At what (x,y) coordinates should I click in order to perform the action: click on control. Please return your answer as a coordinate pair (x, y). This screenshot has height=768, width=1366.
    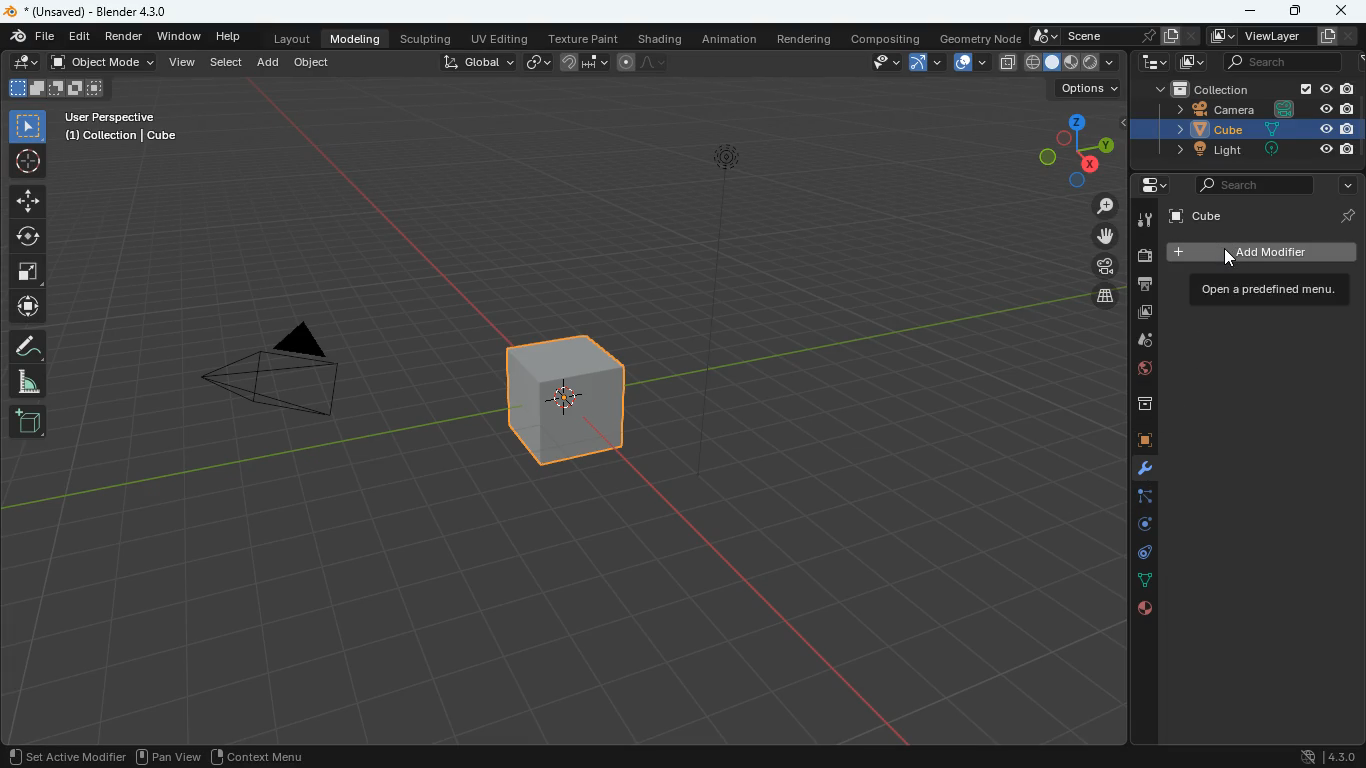
    Looking at the image, I should click on (1141, 555).